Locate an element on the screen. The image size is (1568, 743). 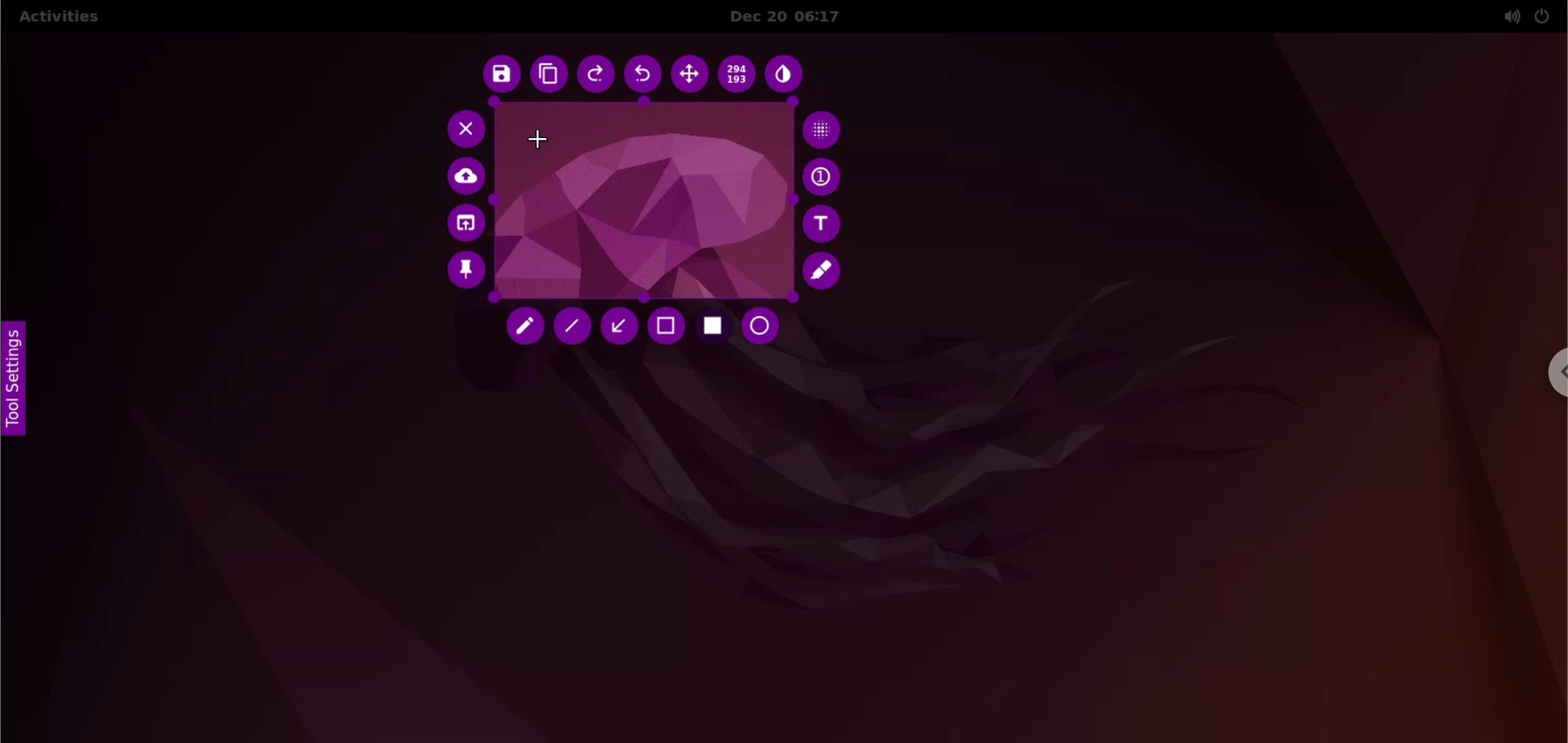
upload is located at coordinates (468, 177).